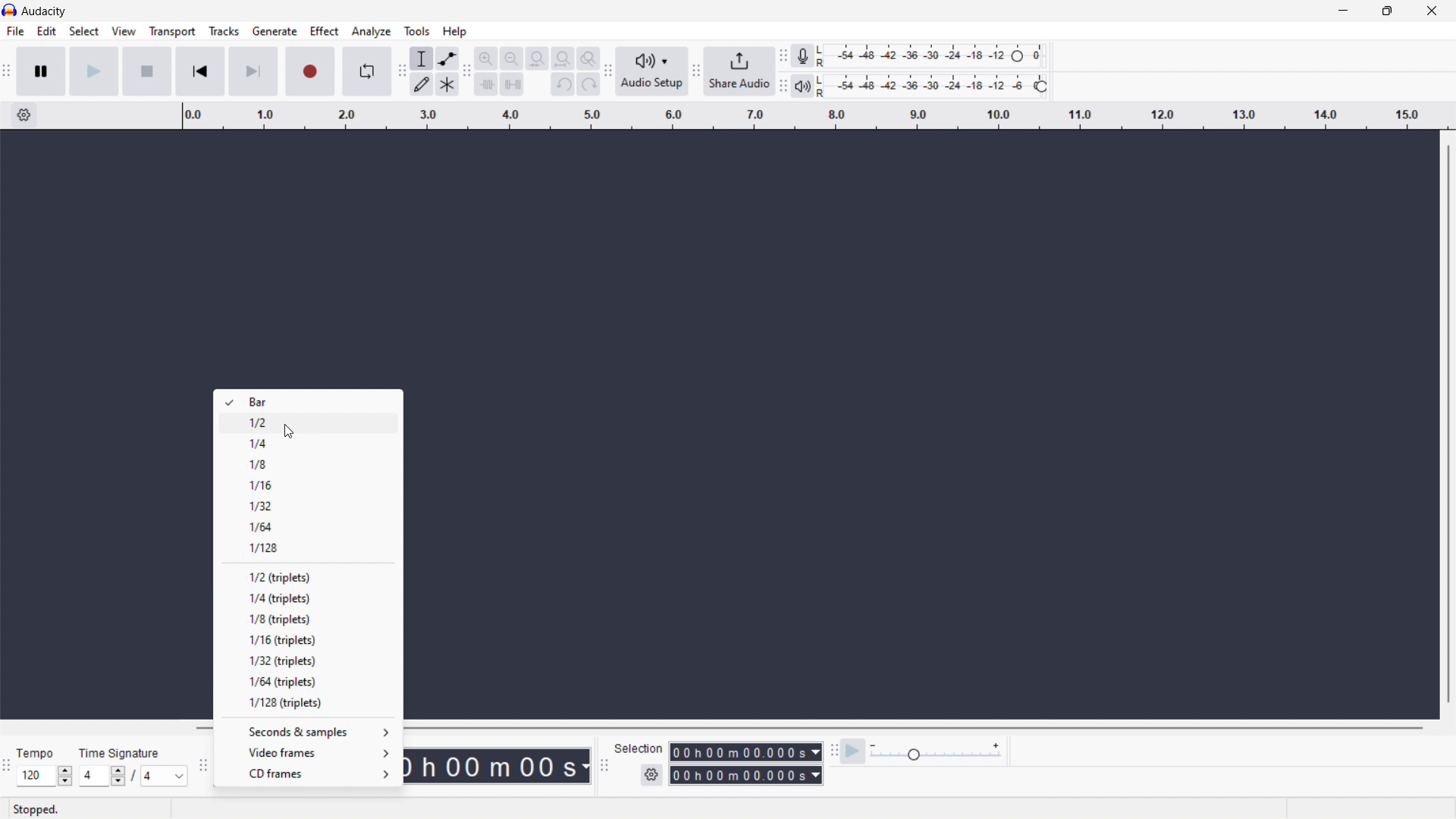 The image size is (1456, 819). What do you see at coordinates (309, 483) in the screenshot?
I see `1/16` at bounding box center [309, 483].